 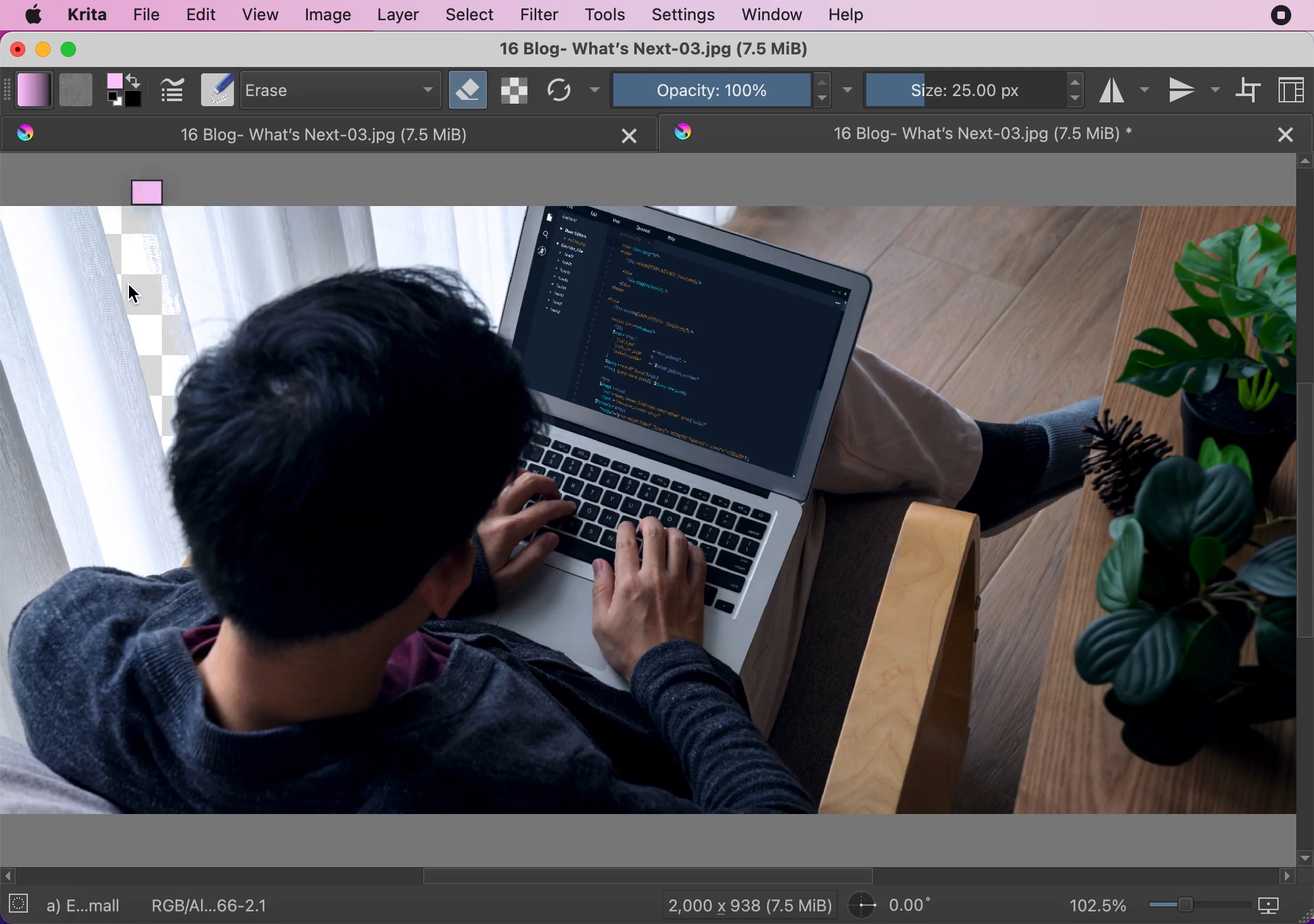 What do you see at coordinates (473, 15) in the screenshot?
I see `select` at bounding box center [473, 15].